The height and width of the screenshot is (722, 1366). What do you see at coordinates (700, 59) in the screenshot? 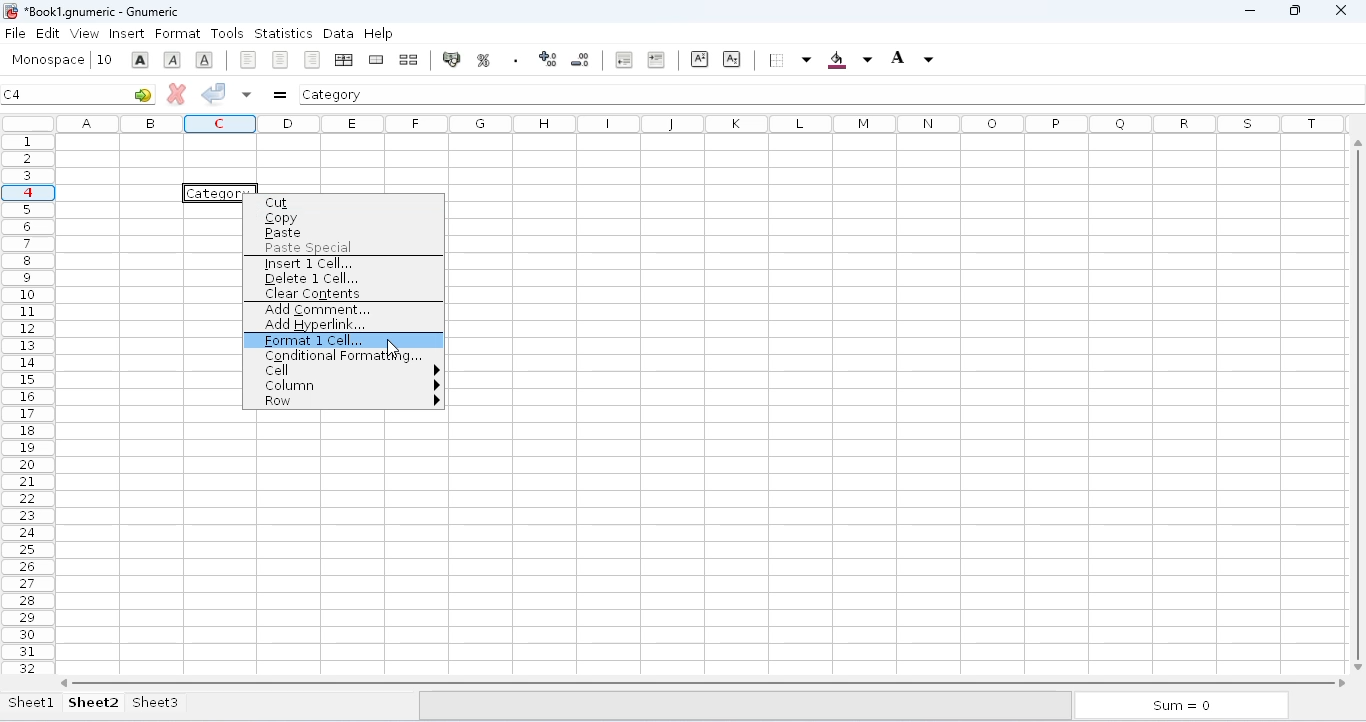
I see `superscript` at bounding box center [700, 59].